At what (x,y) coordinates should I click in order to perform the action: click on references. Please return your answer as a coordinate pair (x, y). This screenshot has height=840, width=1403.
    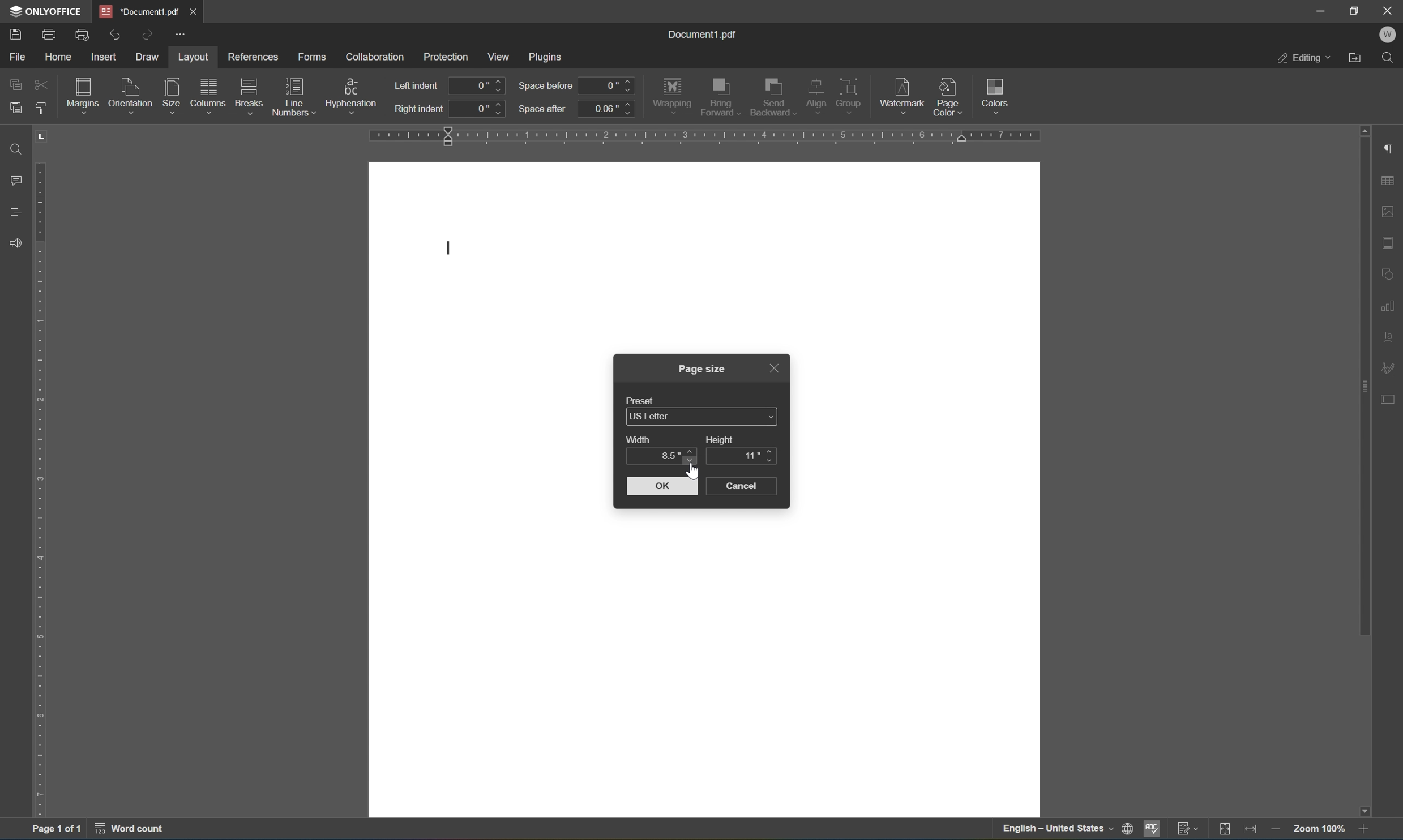
    Looking at the image, I should click on (254, 58).